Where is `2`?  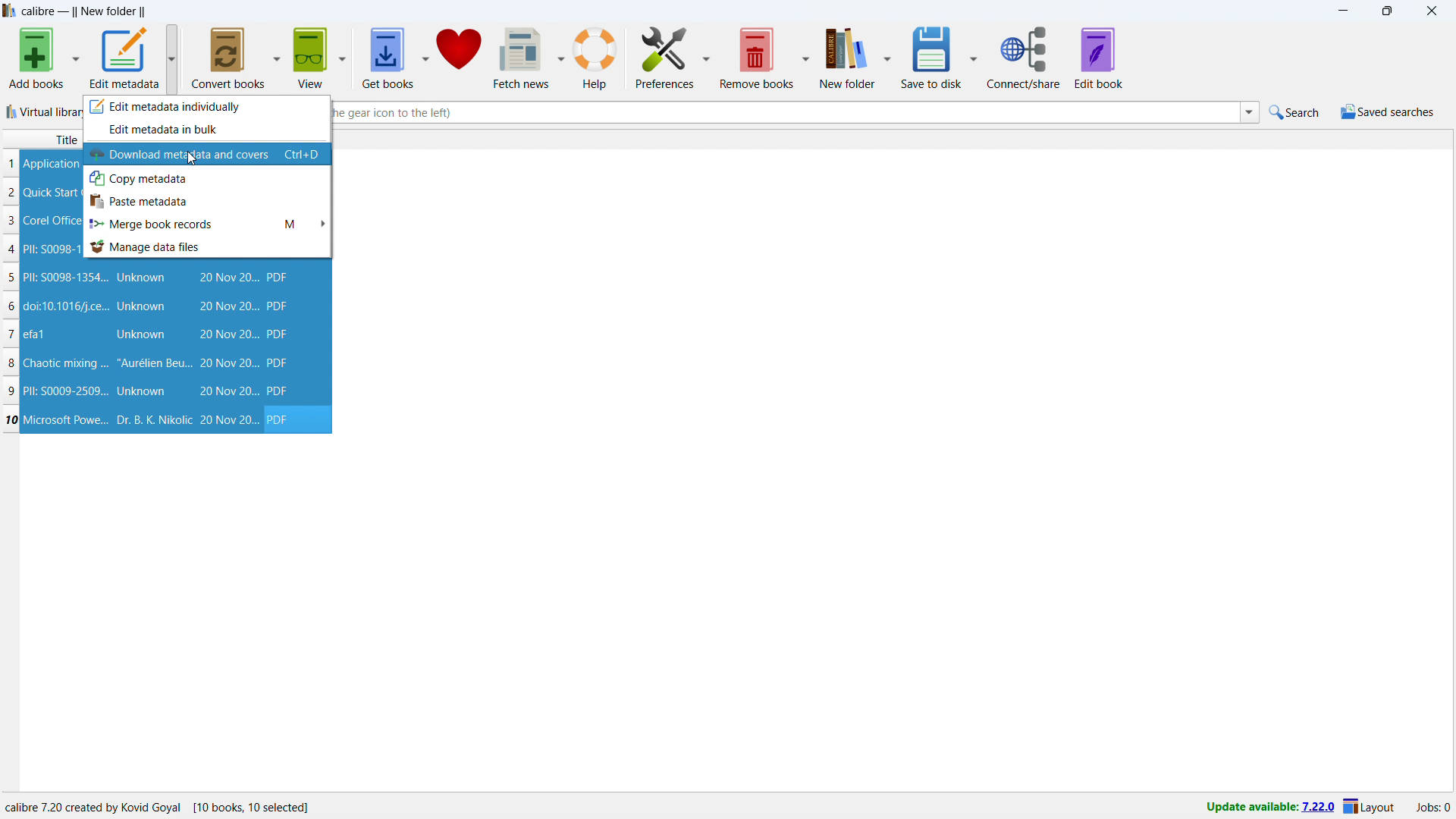
2 is located at coordinates (11, 193).